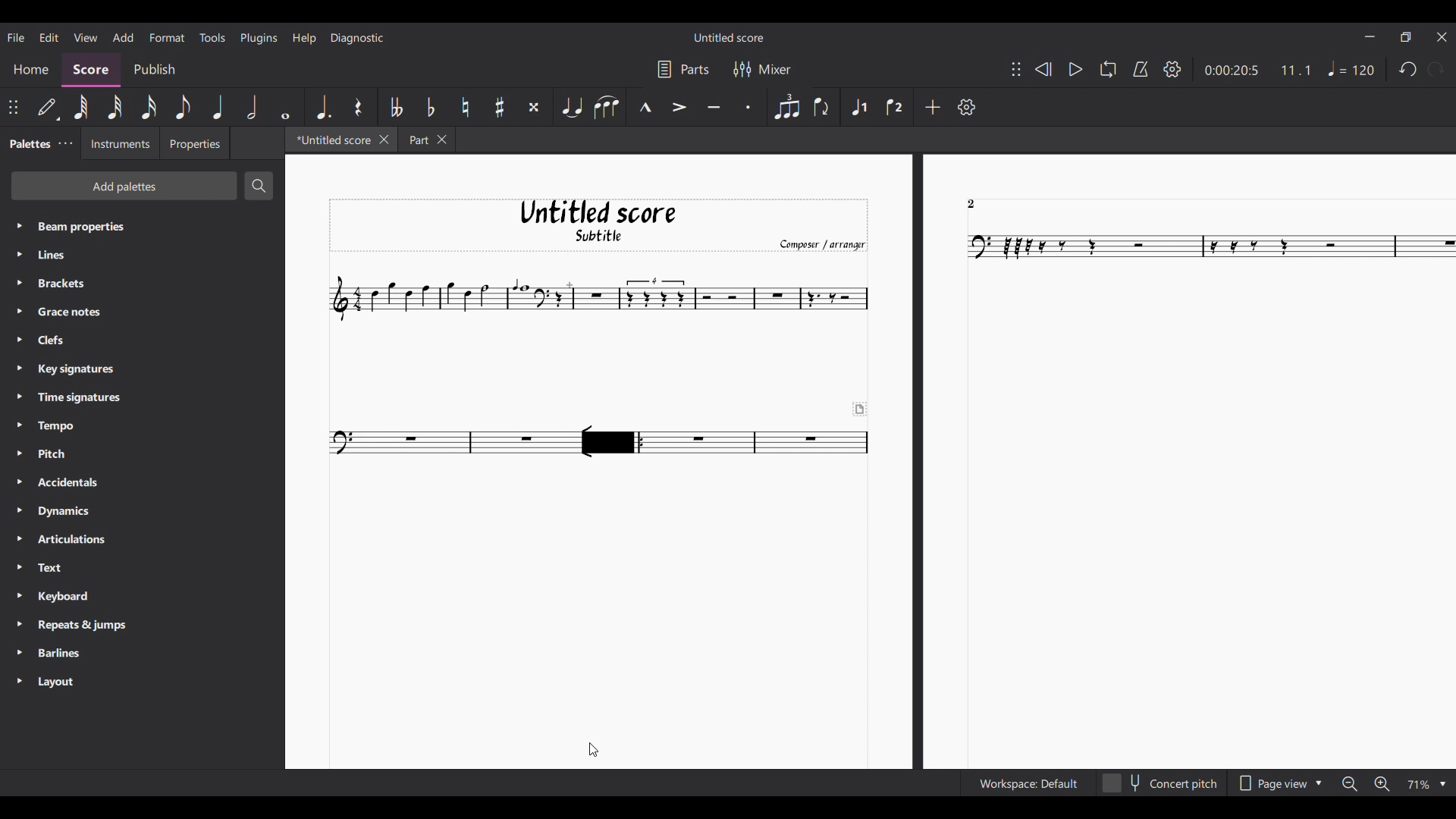 This screenshot has width=1456, height=819. Describe the element at coordinates (1436, 69) in the screenshot. I see `Redo` at that location.